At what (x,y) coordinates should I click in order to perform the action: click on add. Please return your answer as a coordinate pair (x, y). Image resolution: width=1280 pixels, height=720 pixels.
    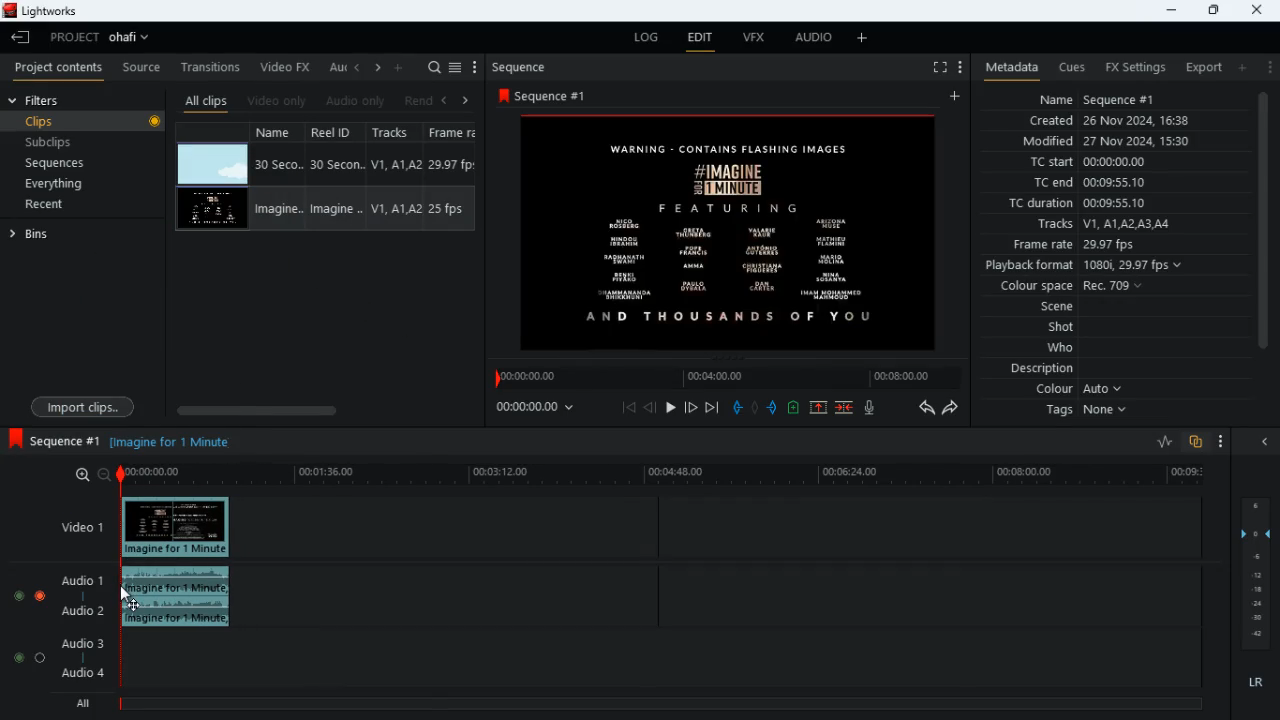
    Looking at the image, I should click on (1241, 67).